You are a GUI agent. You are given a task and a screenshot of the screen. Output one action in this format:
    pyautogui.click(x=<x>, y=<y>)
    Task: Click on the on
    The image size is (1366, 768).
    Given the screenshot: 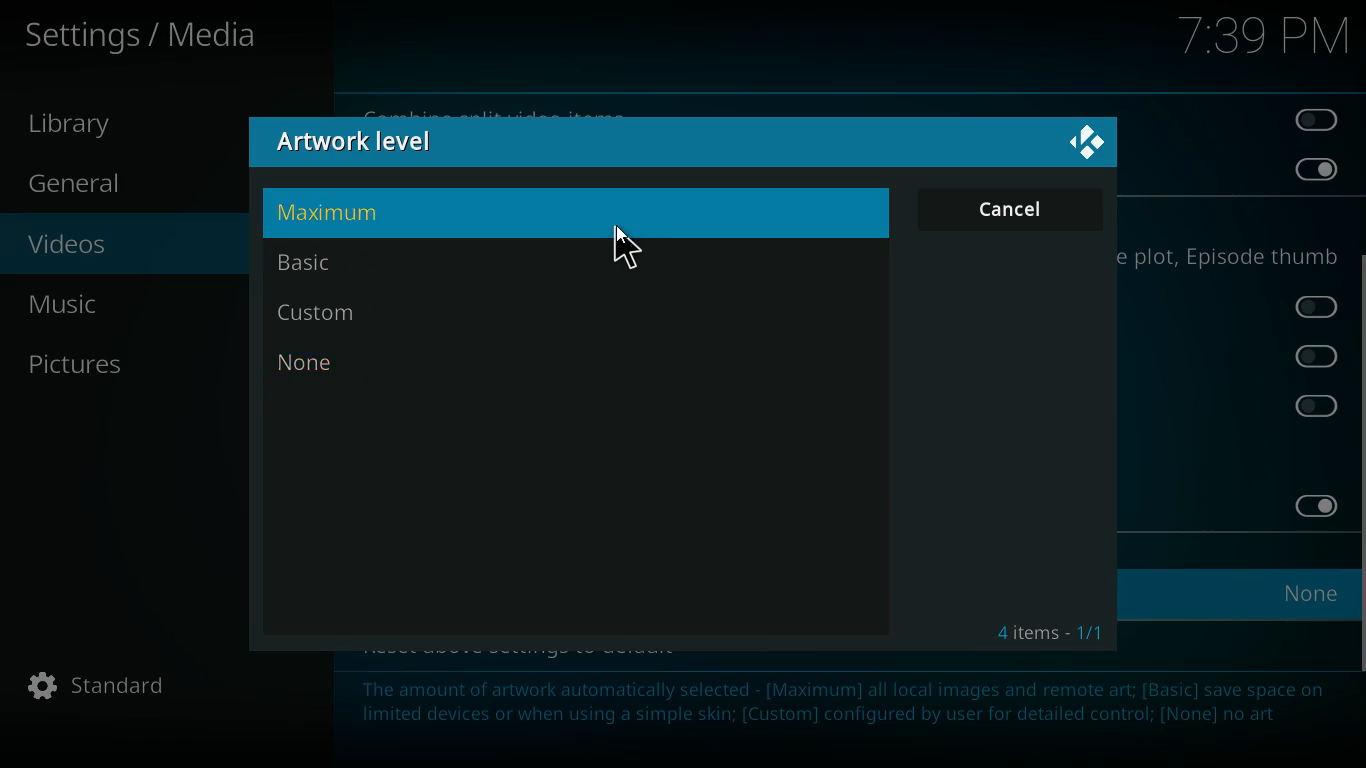 What is the action you would take?
    pyautogui.click(x=1308, y=505)
    